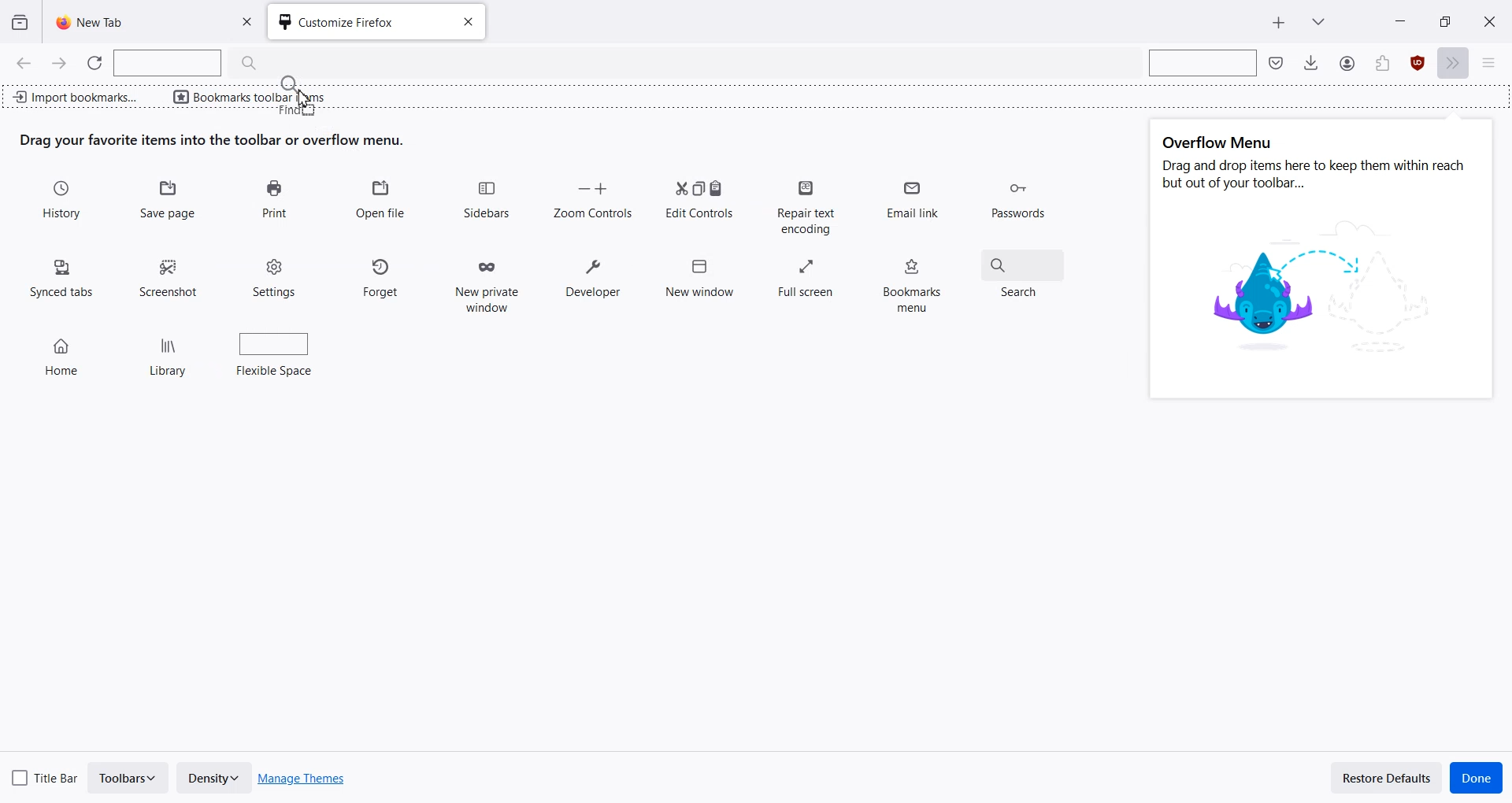 The height and width of the screenshot is (803, 1512). Describe the element at coordinates (1456, 64) in the screenshot. I see `More tools` at that location.